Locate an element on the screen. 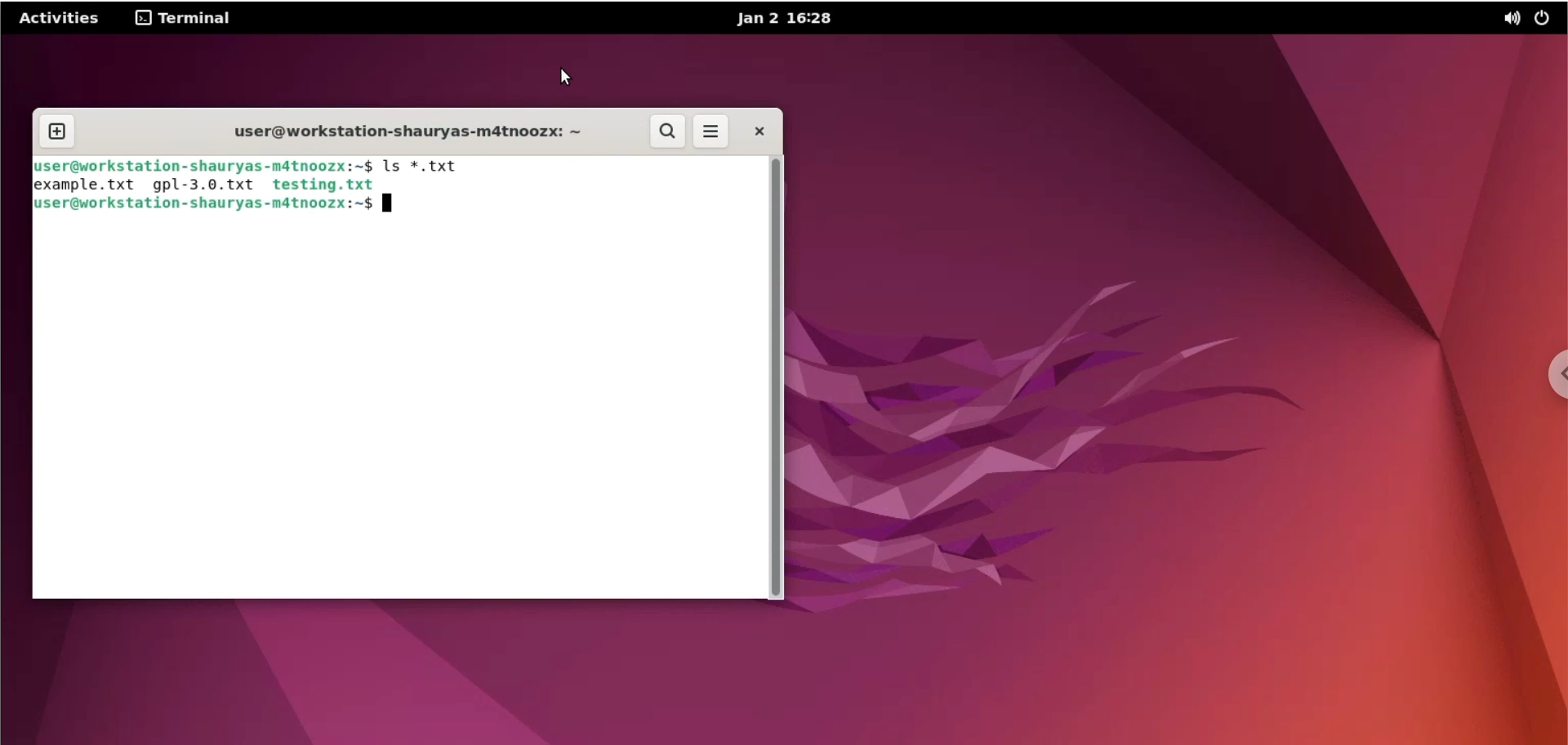 The image size is (1568, 745). text cursor is located at coordinates (386, 203).